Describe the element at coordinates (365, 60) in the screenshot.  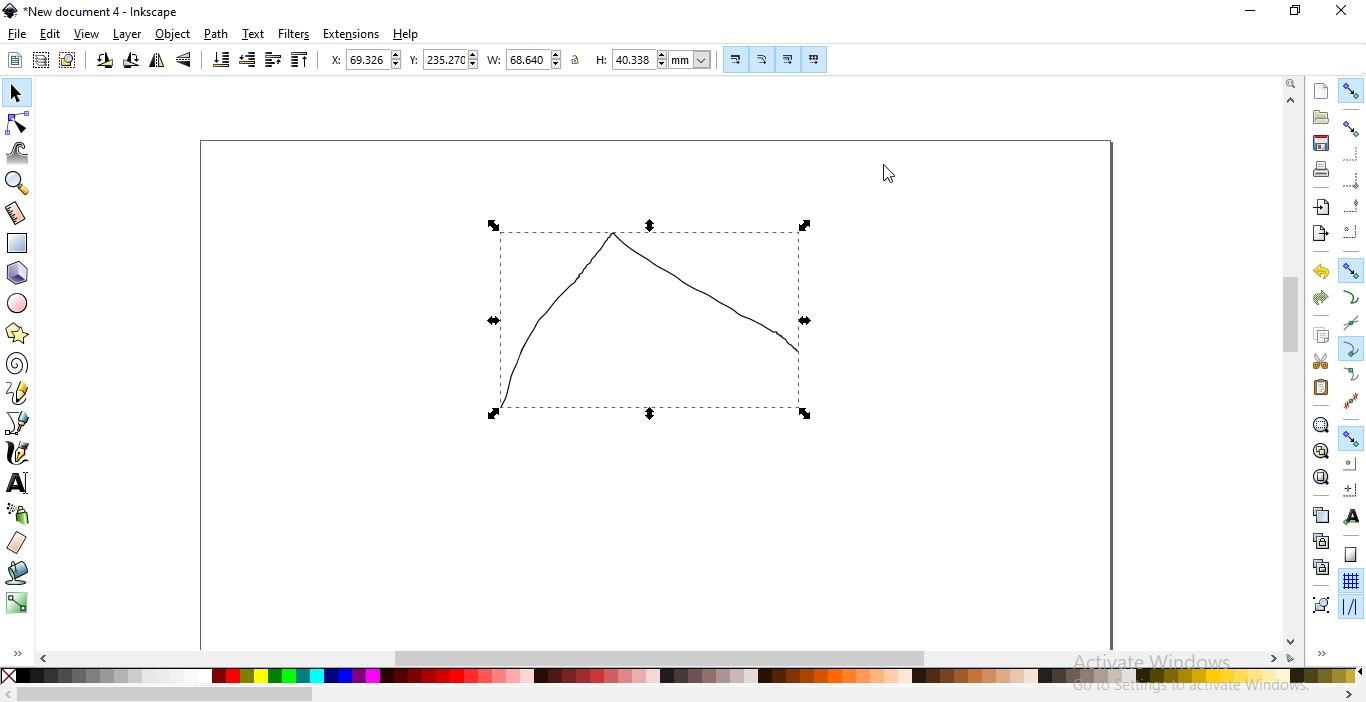
I see `horizontal coordinate of selection` at that location.